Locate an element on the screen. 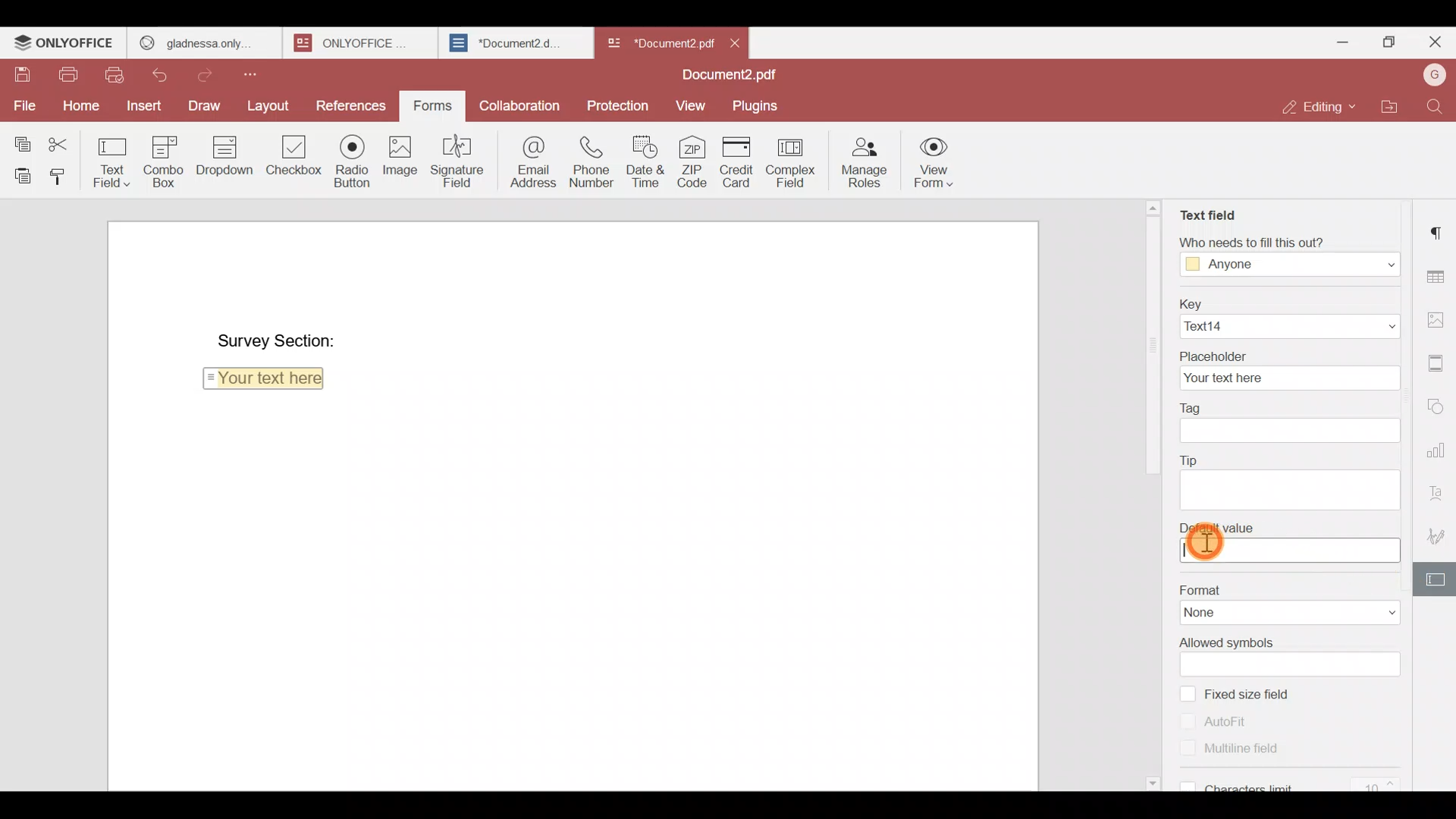 Image resolution: width=1456 pixels, height=819 pixels. Header & footer settings is located at coordinates (1439, 367).